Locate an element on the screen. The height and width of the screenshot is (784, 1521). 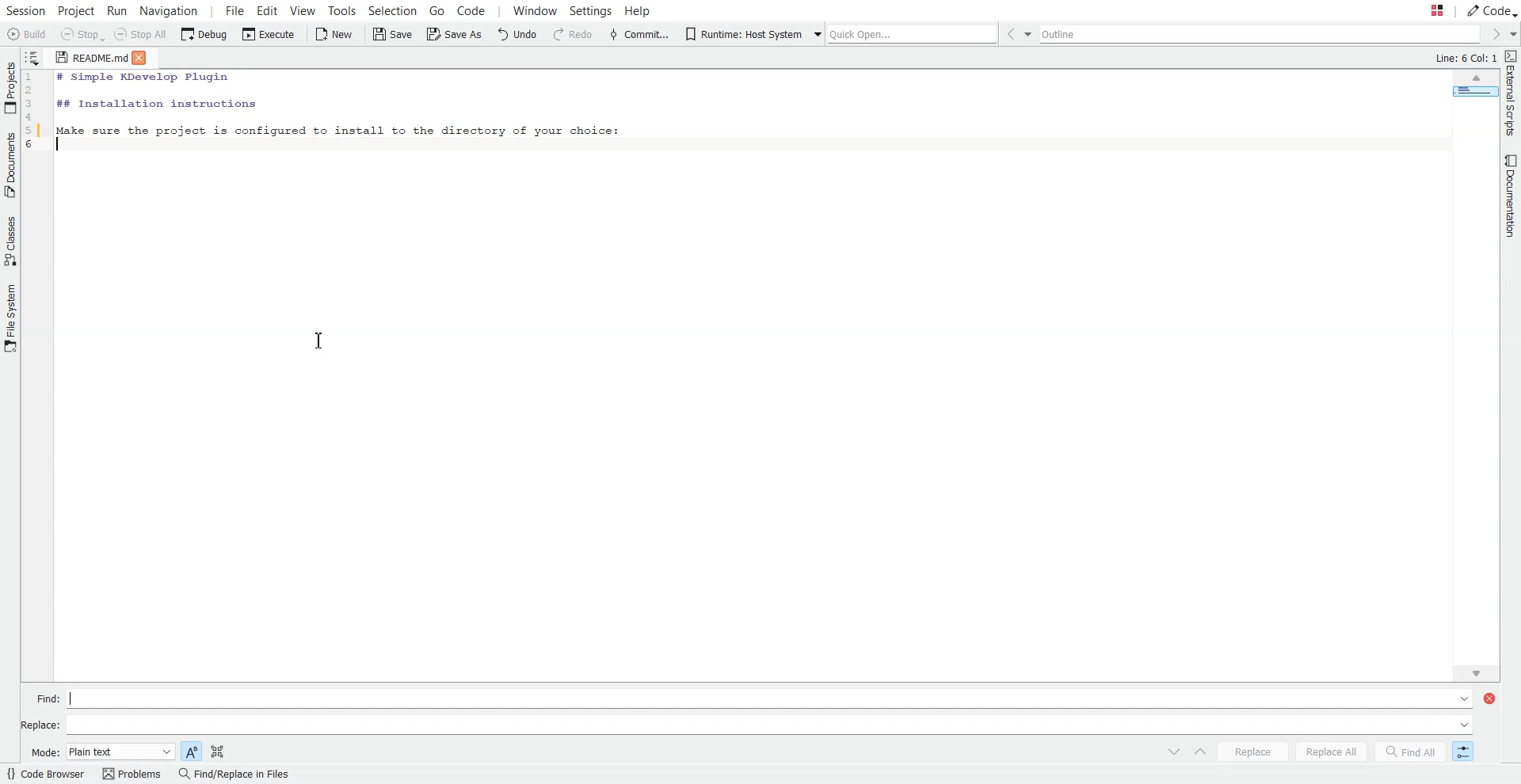
Code is located at coordinates (480, 11).